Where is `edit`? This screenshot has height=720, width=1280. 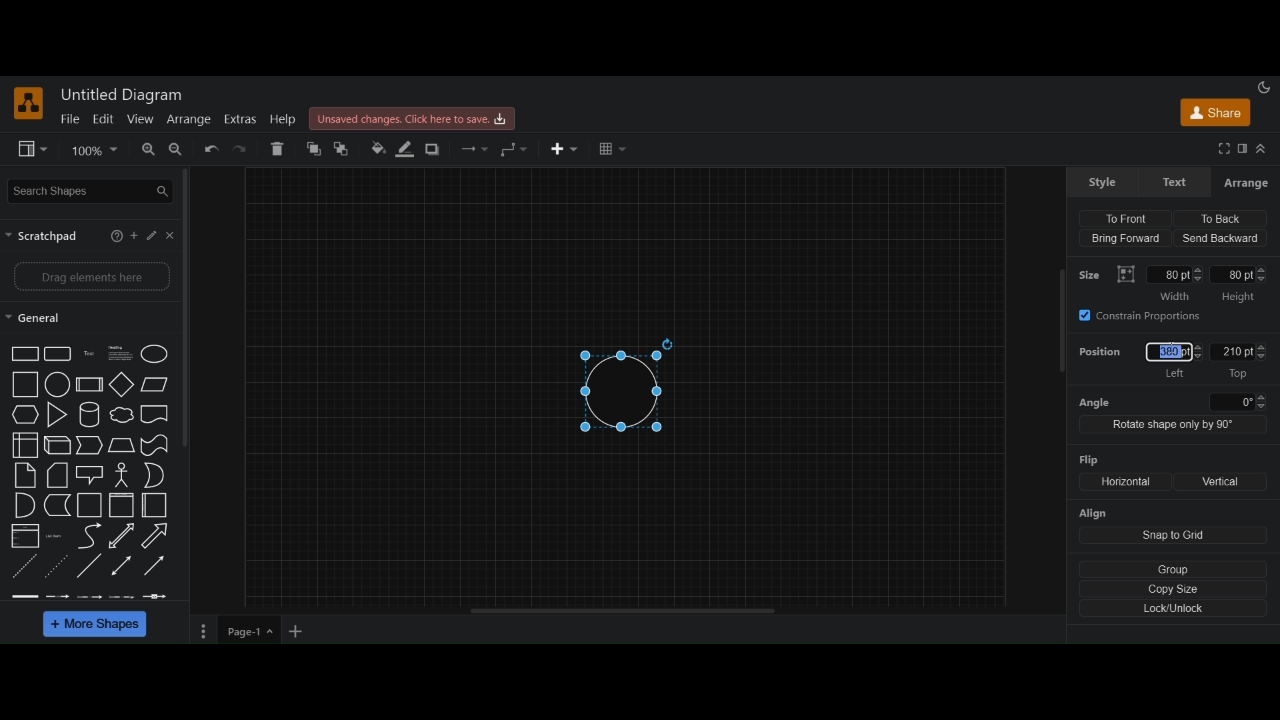
edit is located at coordinates (102, 118).